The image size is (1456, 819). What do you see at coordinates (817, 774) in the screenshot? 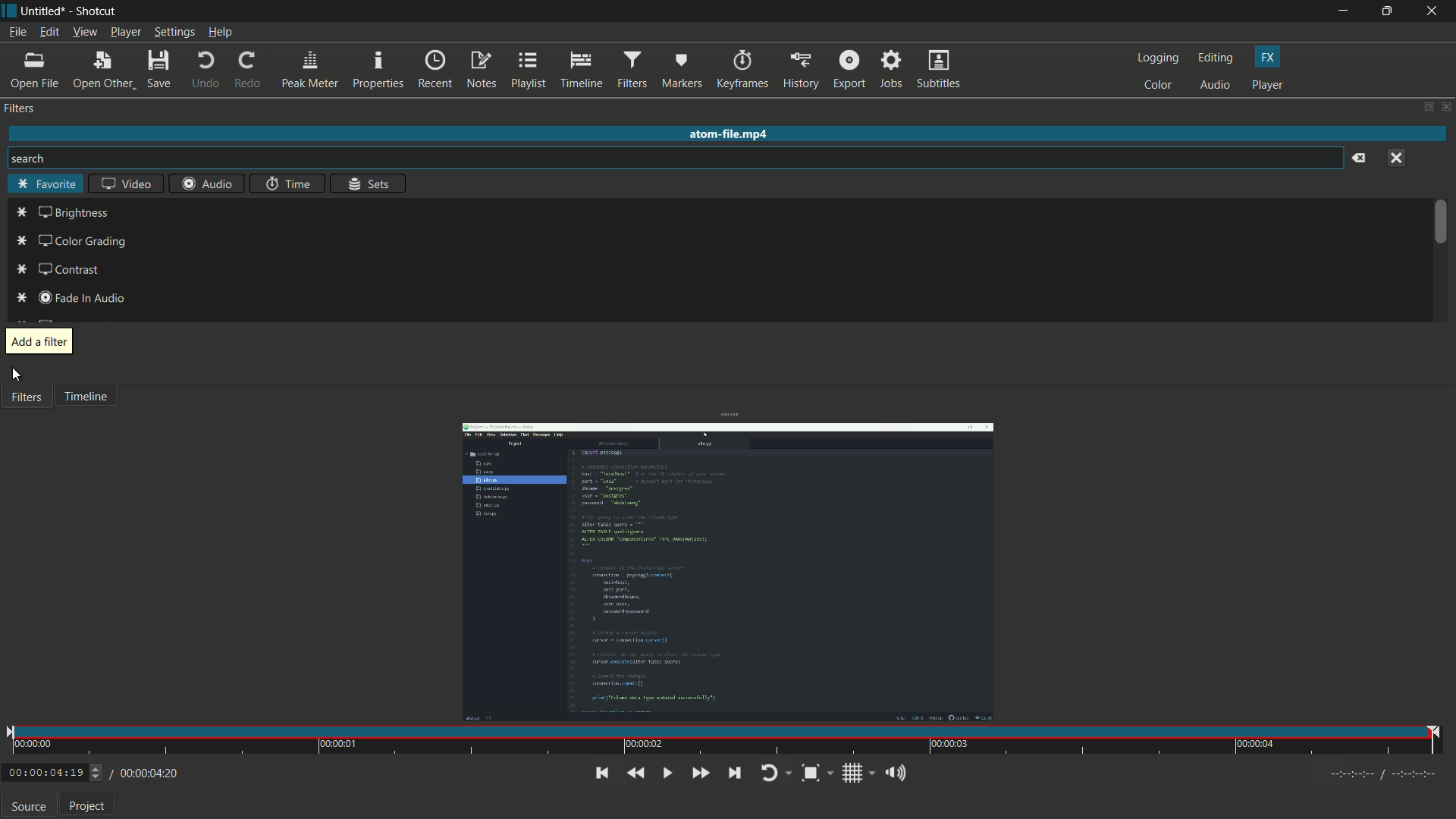
I see `toggle zoom` at bounding box center [817, 774].